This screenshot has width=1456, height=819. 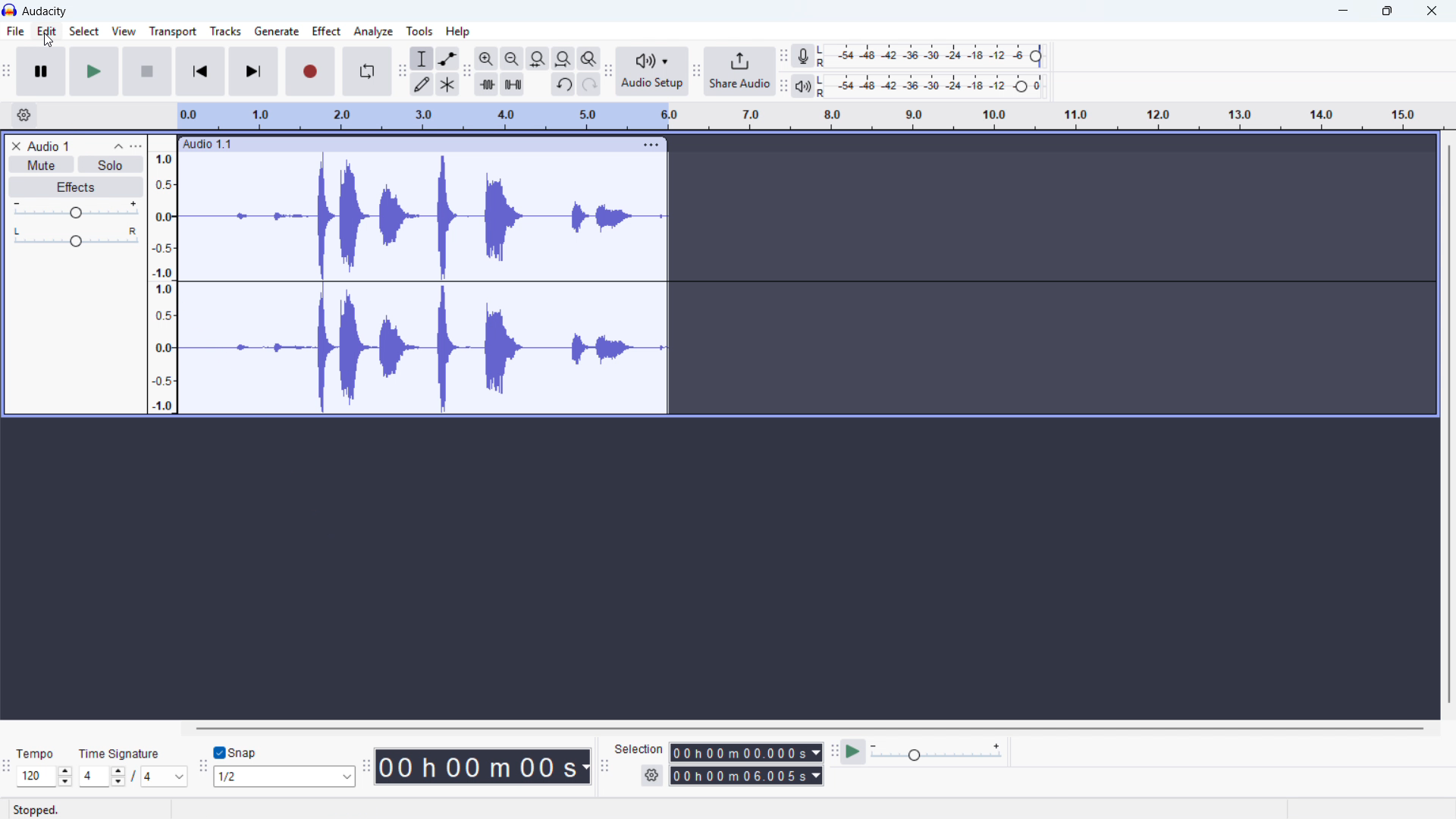 I want to click on share audio toolbar, so click(x=697, y=71).